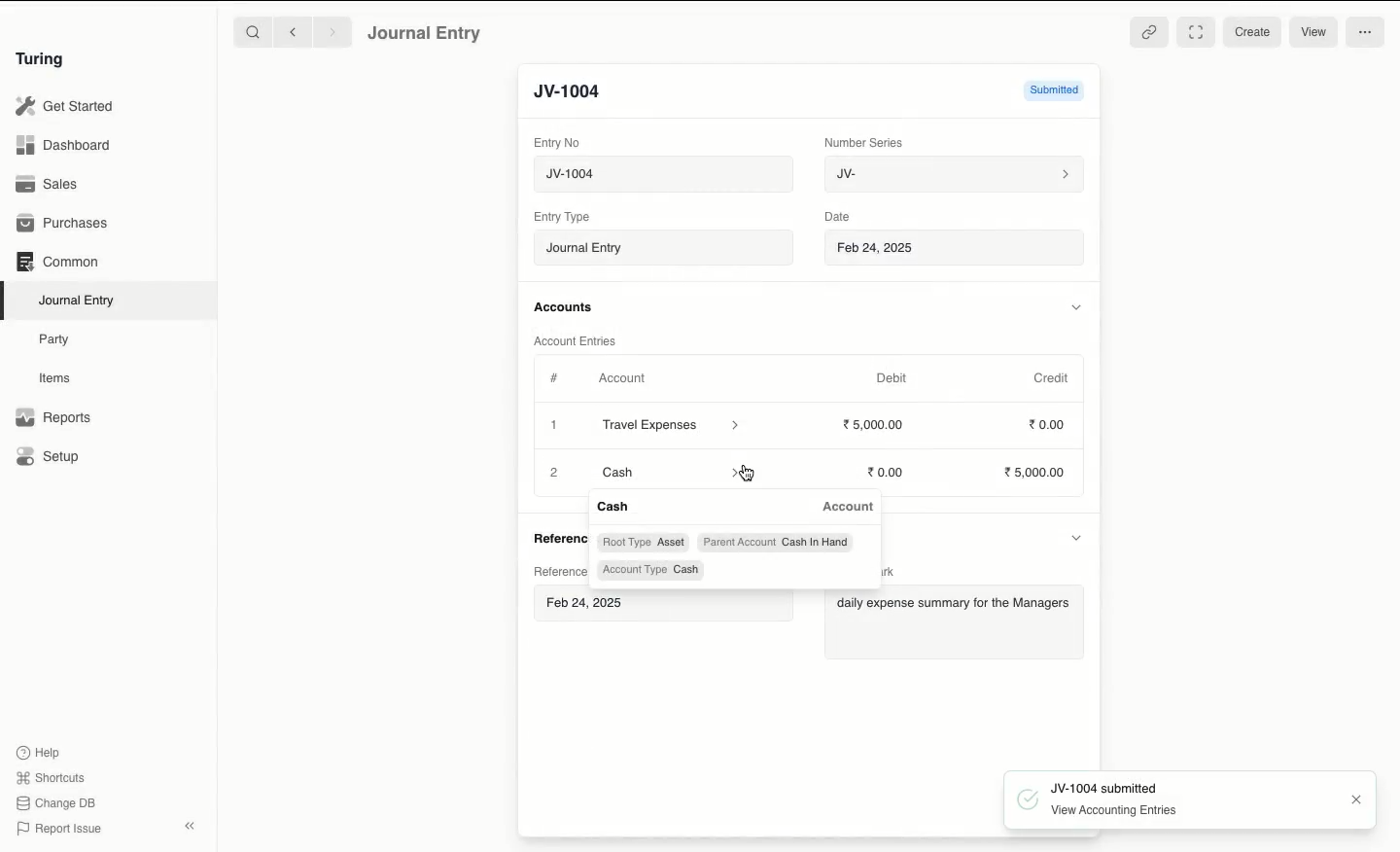 Image resolution: width=1400 pixels, height=852 pixels. Describe the element at coordinates (956, 175) in the screenshot. I see `JV-` at that location.